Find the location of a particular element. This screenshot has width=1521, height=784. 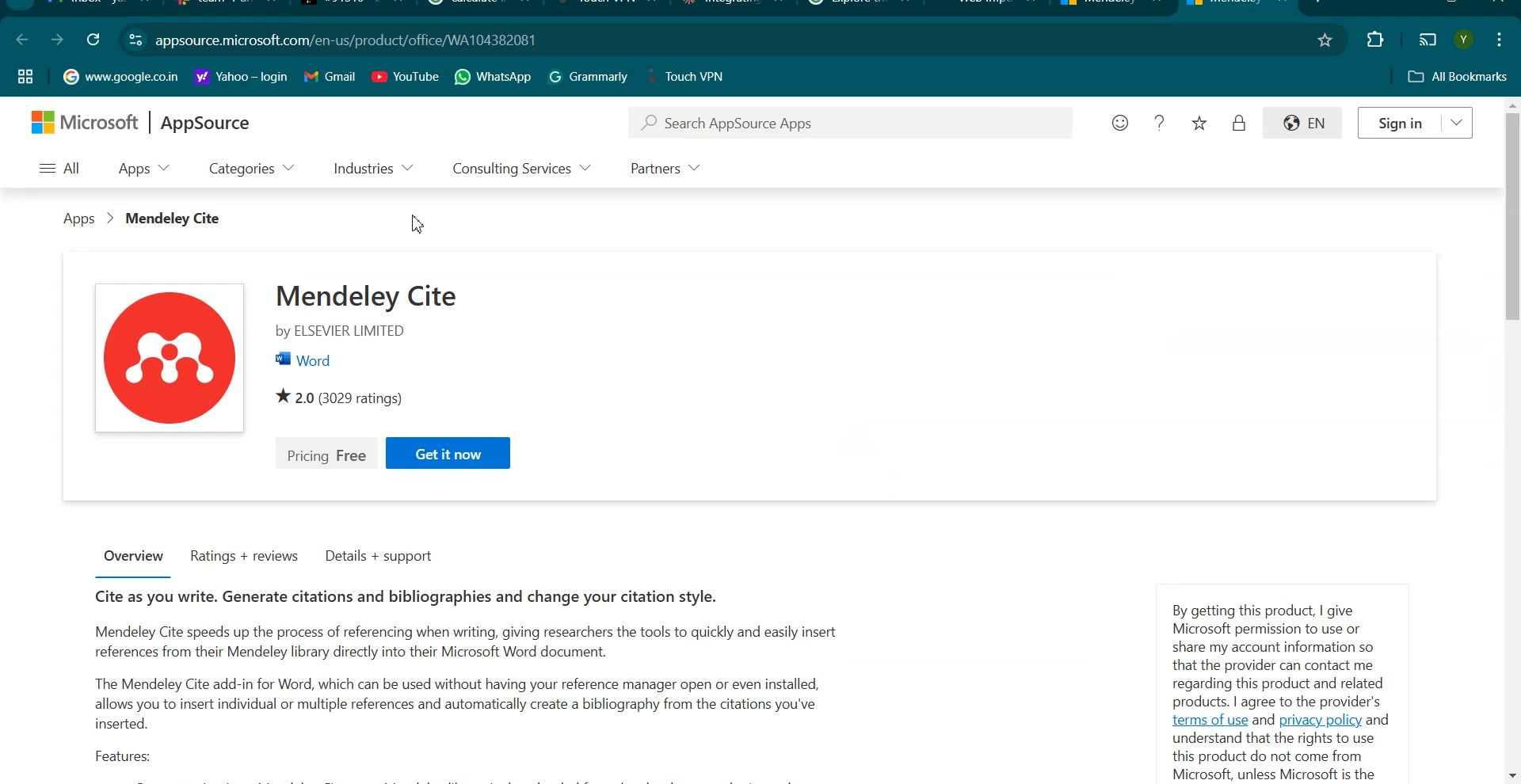

Billing country and language is located at coordinates (1306, 124).